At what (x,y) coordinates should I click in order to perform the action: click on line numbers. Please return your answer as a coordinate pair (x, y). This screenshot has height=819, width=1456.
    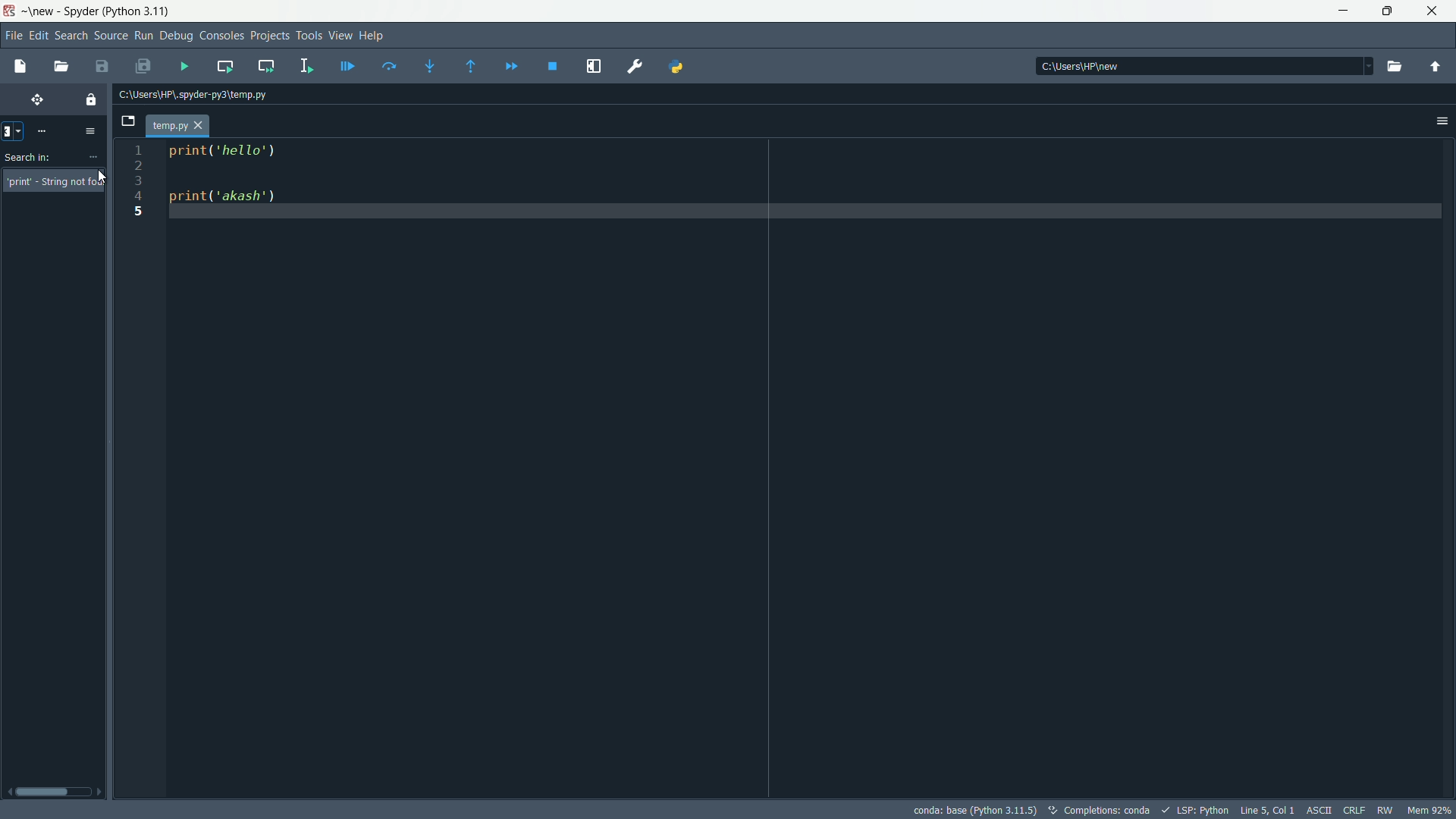
    Looking at the image, I should click on (138, 467).